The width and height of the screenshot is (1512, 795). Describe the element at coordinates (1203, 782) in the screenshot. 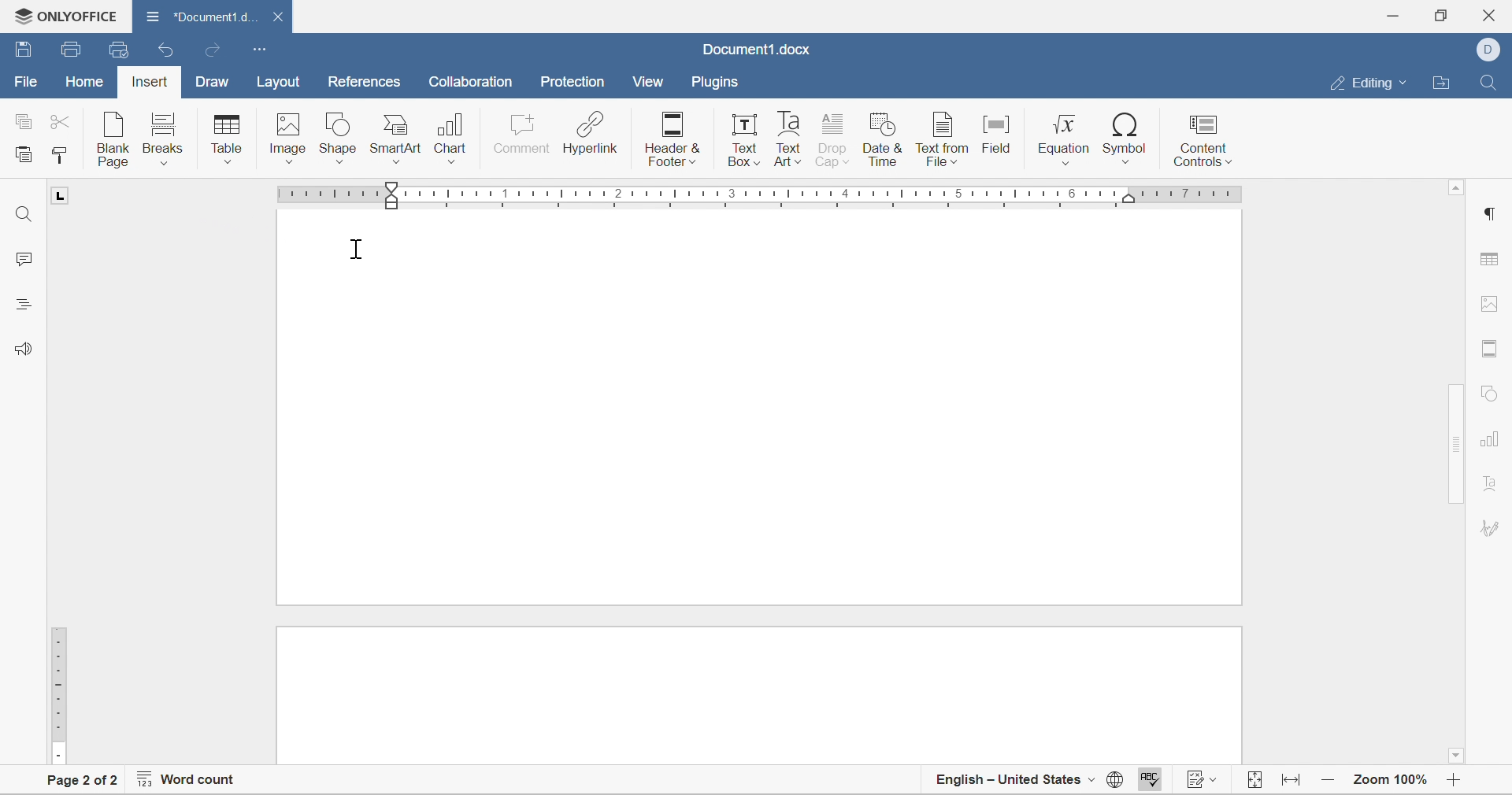

I see `Track changes` at that location.